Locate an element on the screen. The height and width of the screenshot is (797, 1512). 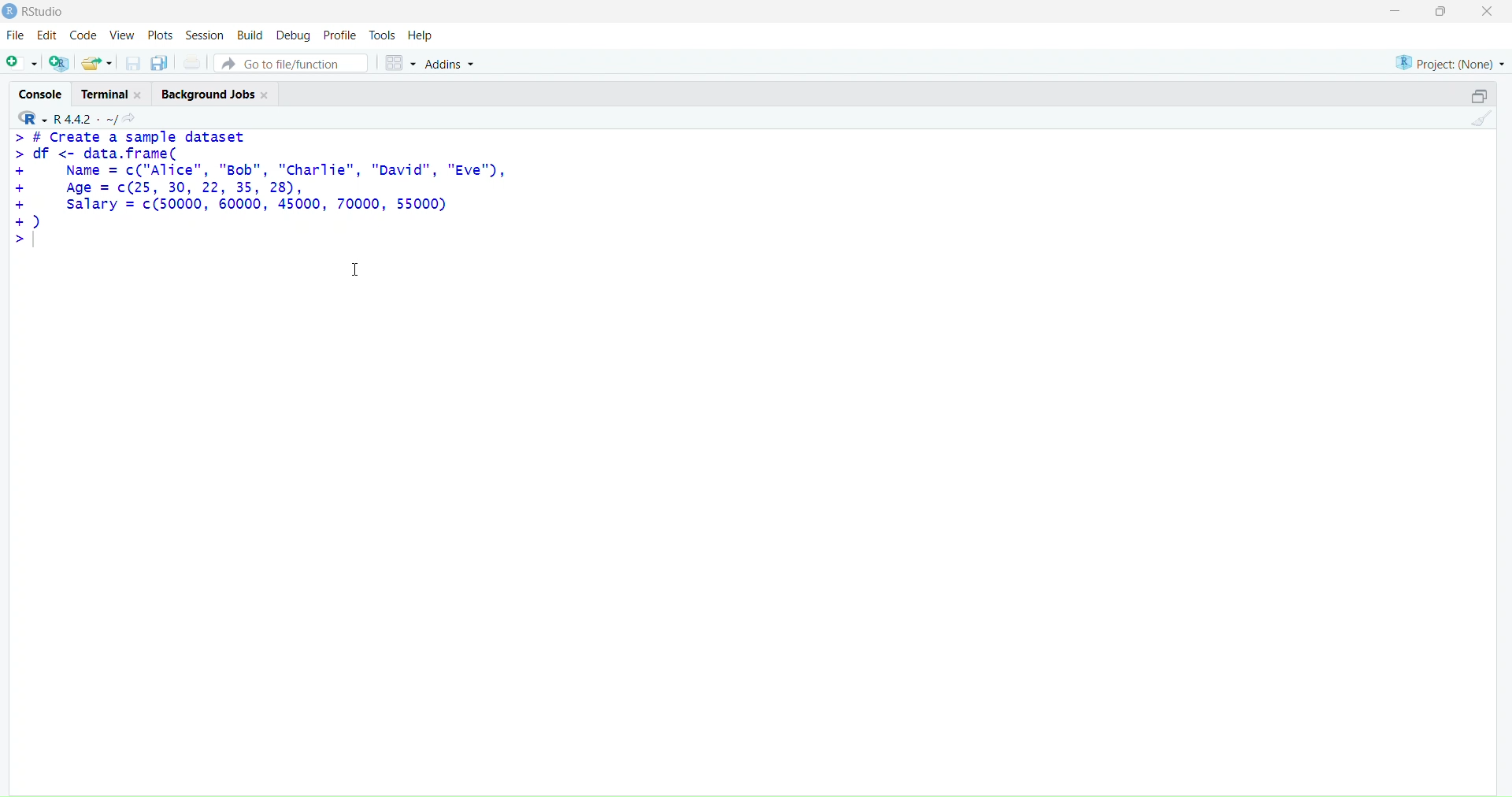
minimize is located at coordinates (1388, 10).